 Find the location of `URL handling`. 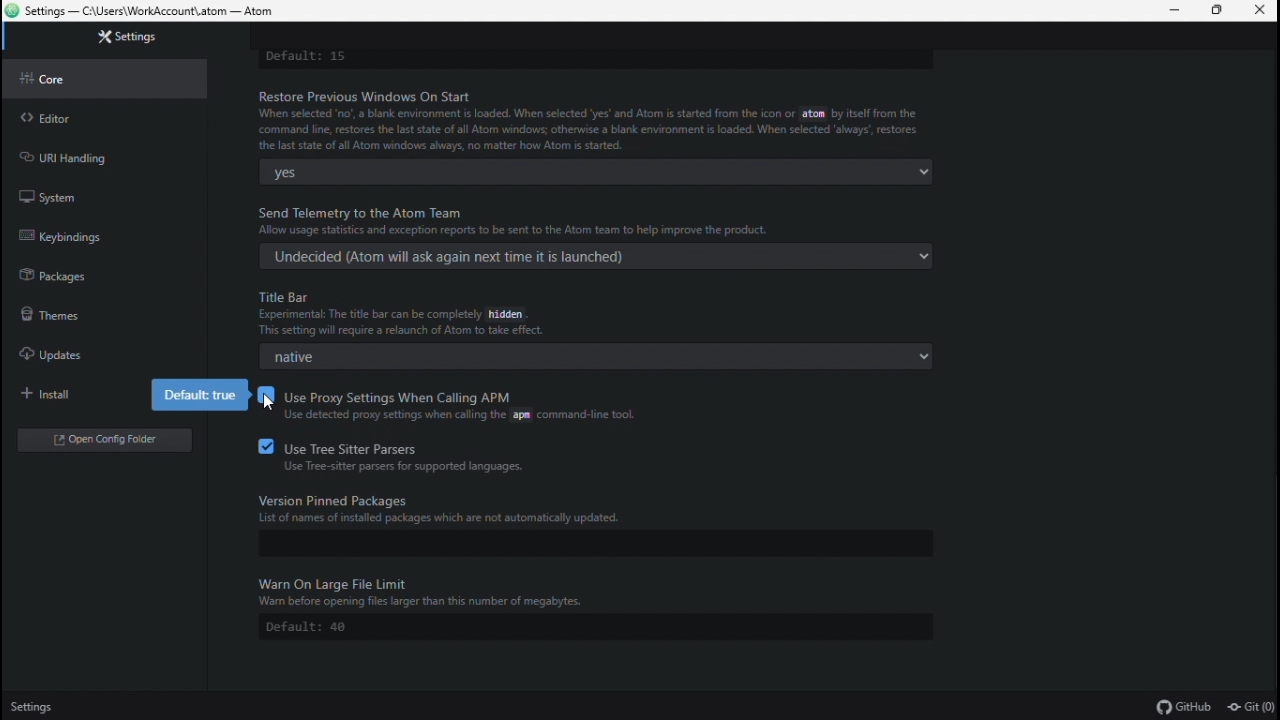

URL handling is located at coordinates (88, 156).